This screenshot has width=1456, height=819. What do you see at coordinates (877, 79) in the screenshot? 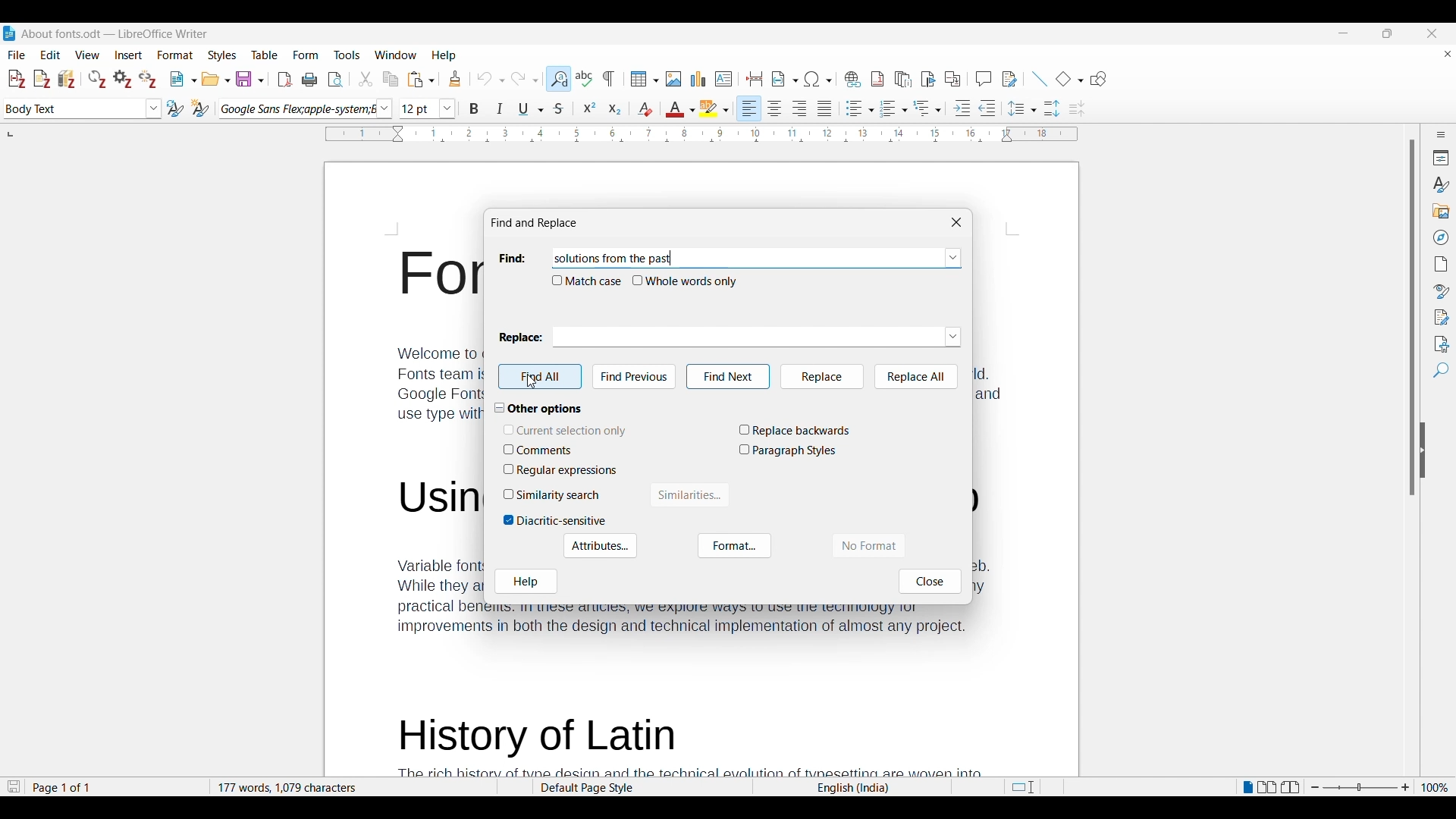
I see `Insert footnote` at bounding box center [877, 79].